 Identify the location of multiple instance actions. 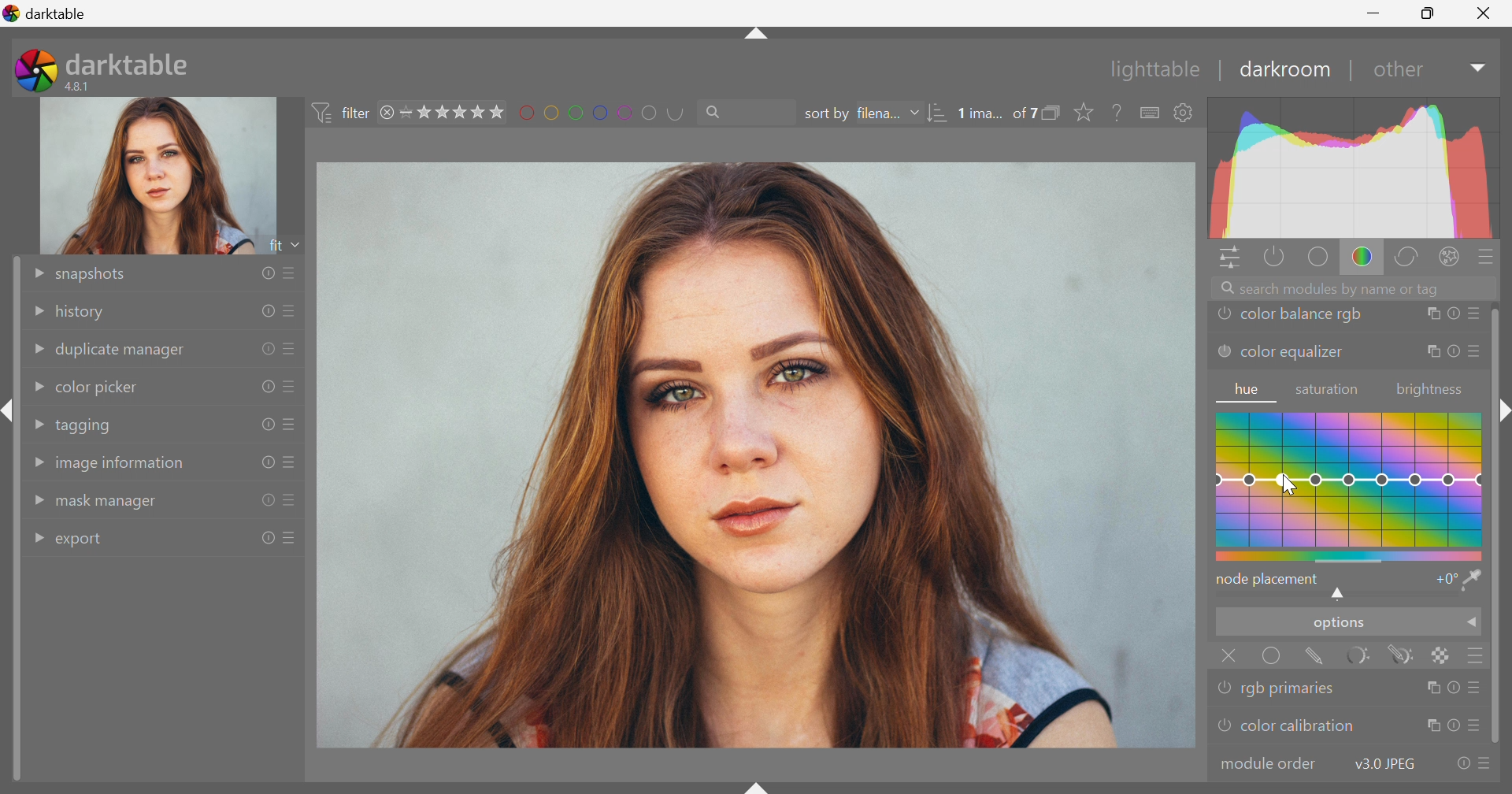
(1431, 315).